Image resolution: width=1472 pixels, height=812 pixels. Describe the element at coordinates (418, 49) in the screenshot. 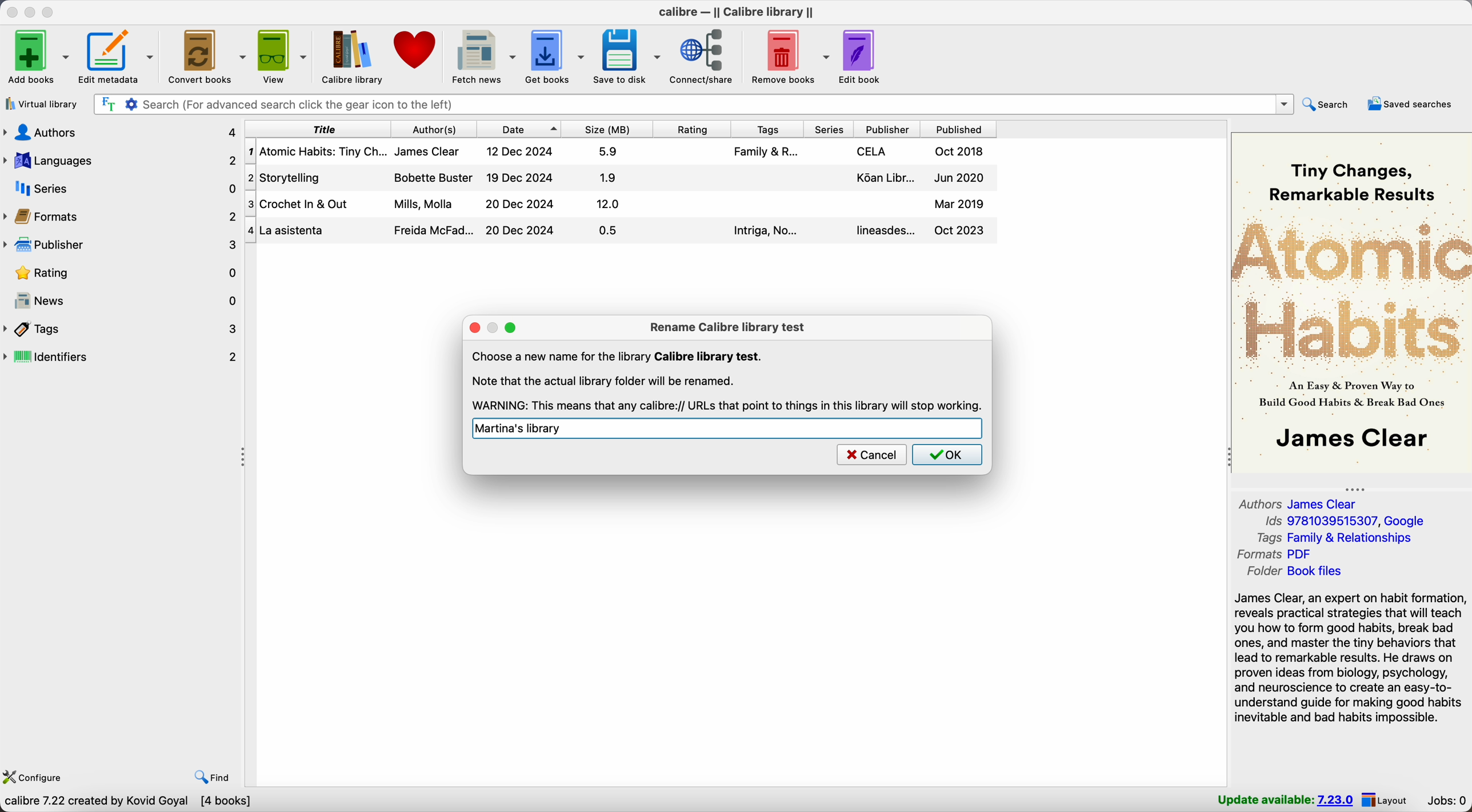

I see `donate` at that location.